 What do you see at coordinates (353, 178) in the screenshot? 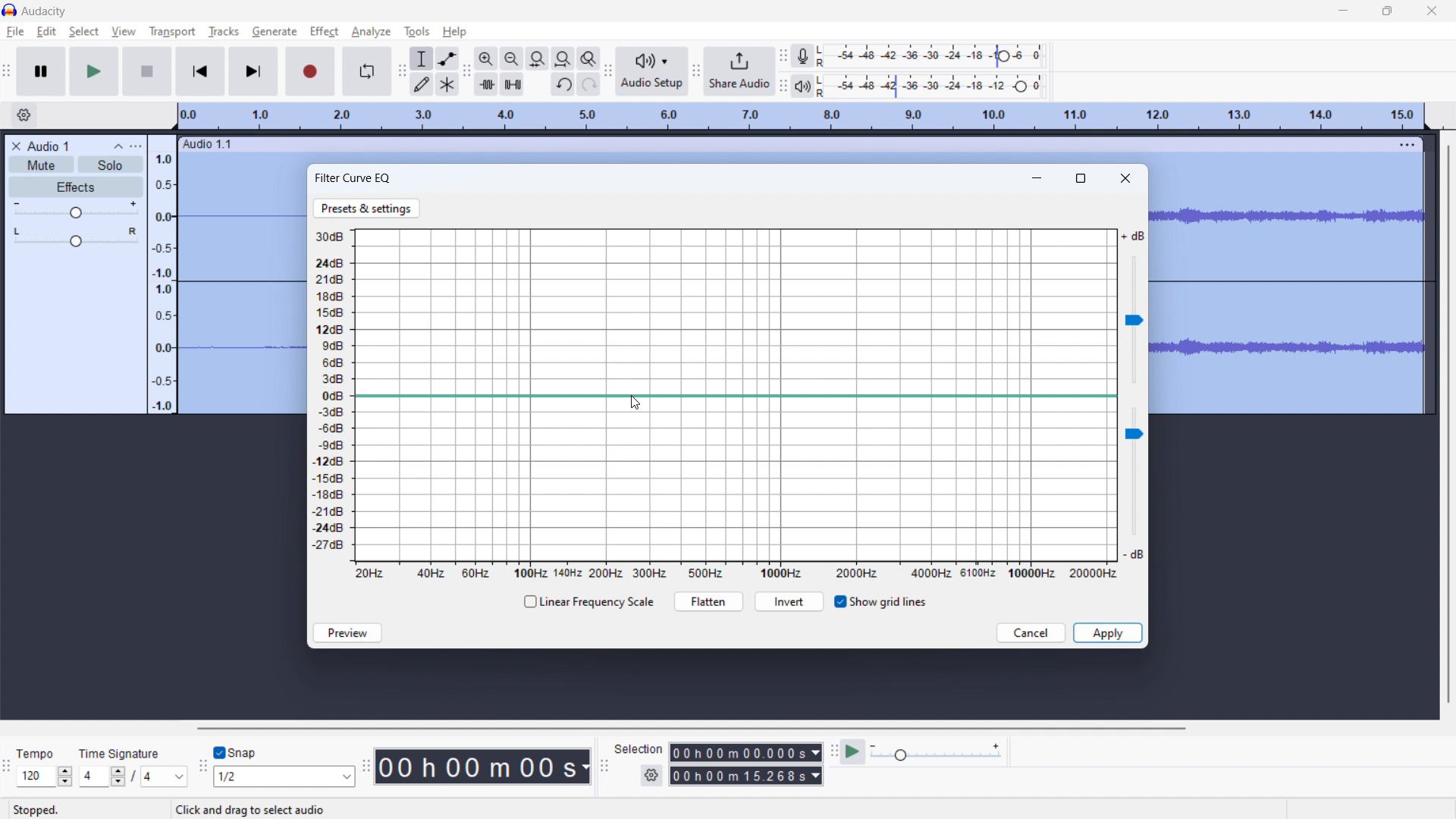
I see `filter curve EQ ` at bounding box center [353, 178].